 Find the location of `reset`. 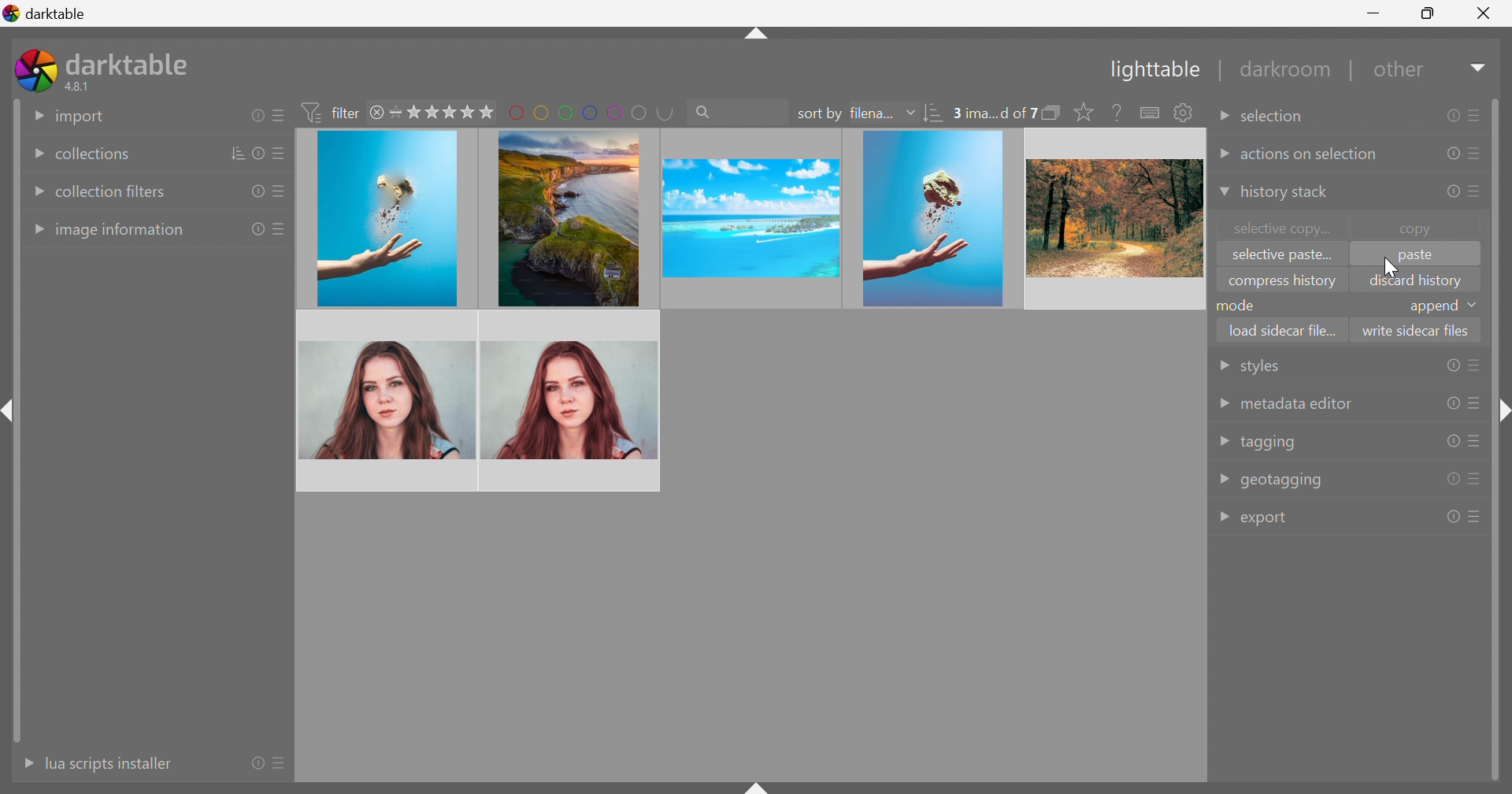

reset is located at coordinates (261, 153).